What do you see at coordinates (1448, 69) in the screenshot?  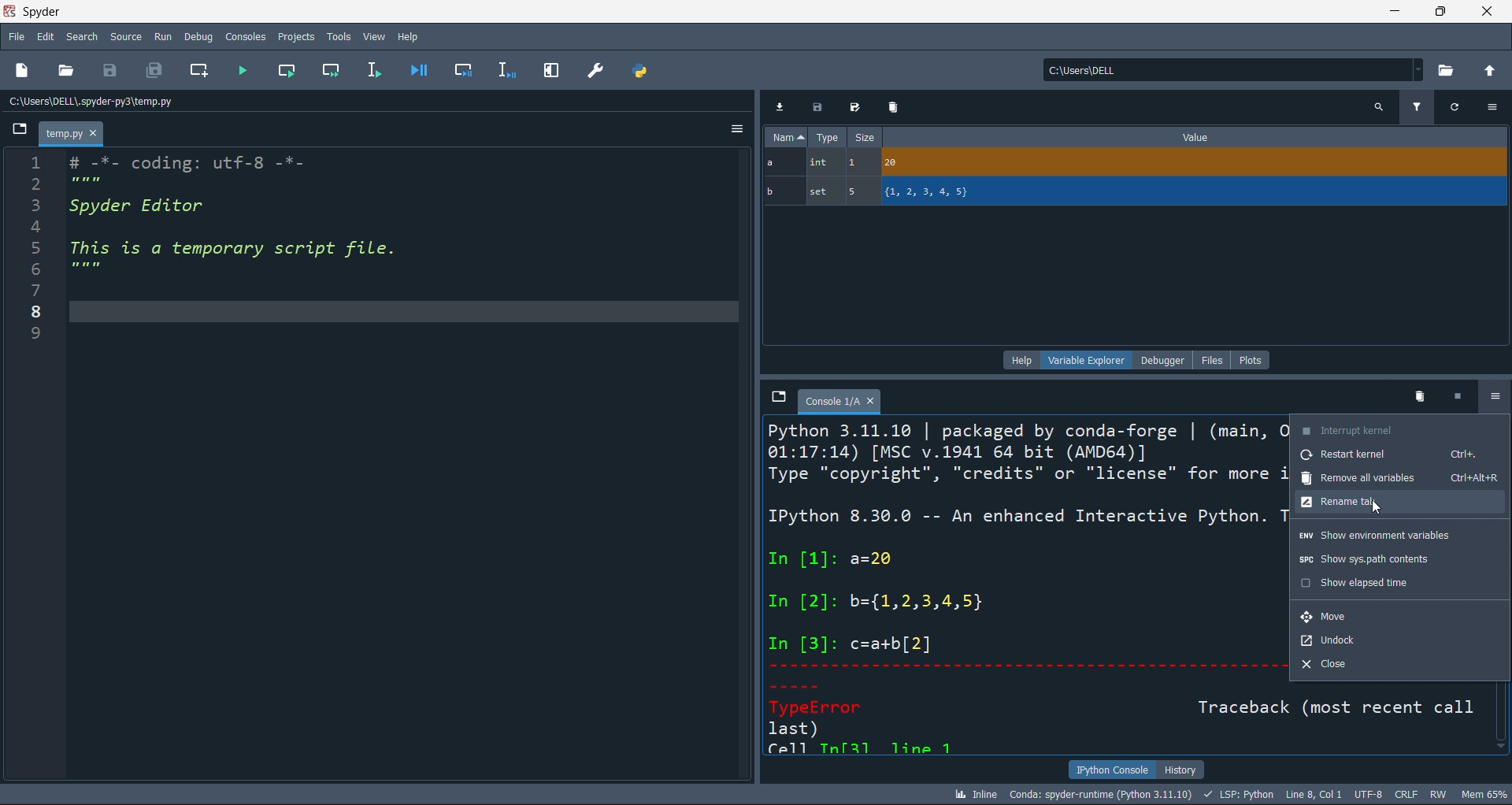 I see `open directory` at bounding box center [1448, 69].